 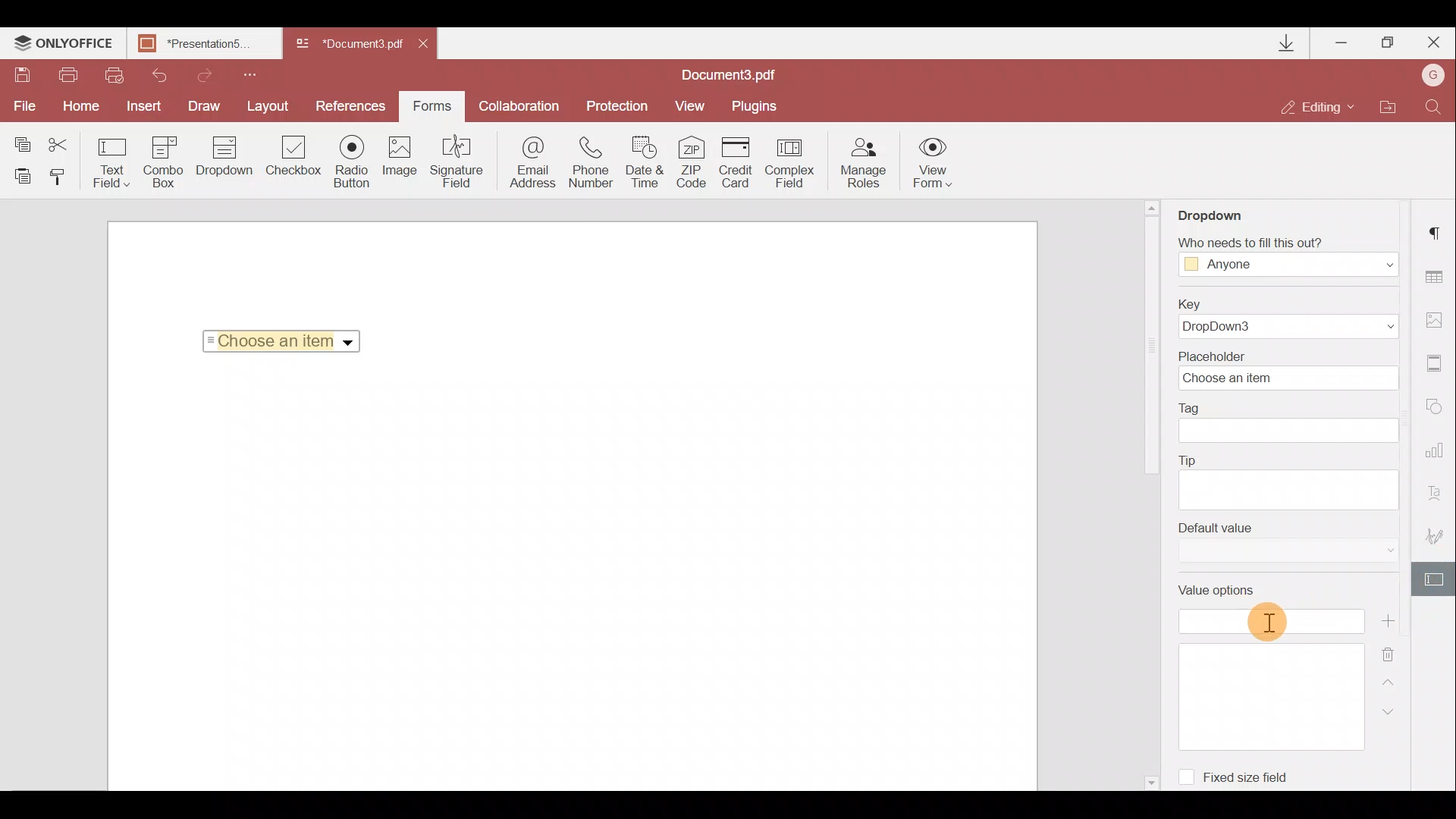 What do you see at coordinates (158, 76) in the screenshot?
I see `Undo` at bounding box center [158, 76].